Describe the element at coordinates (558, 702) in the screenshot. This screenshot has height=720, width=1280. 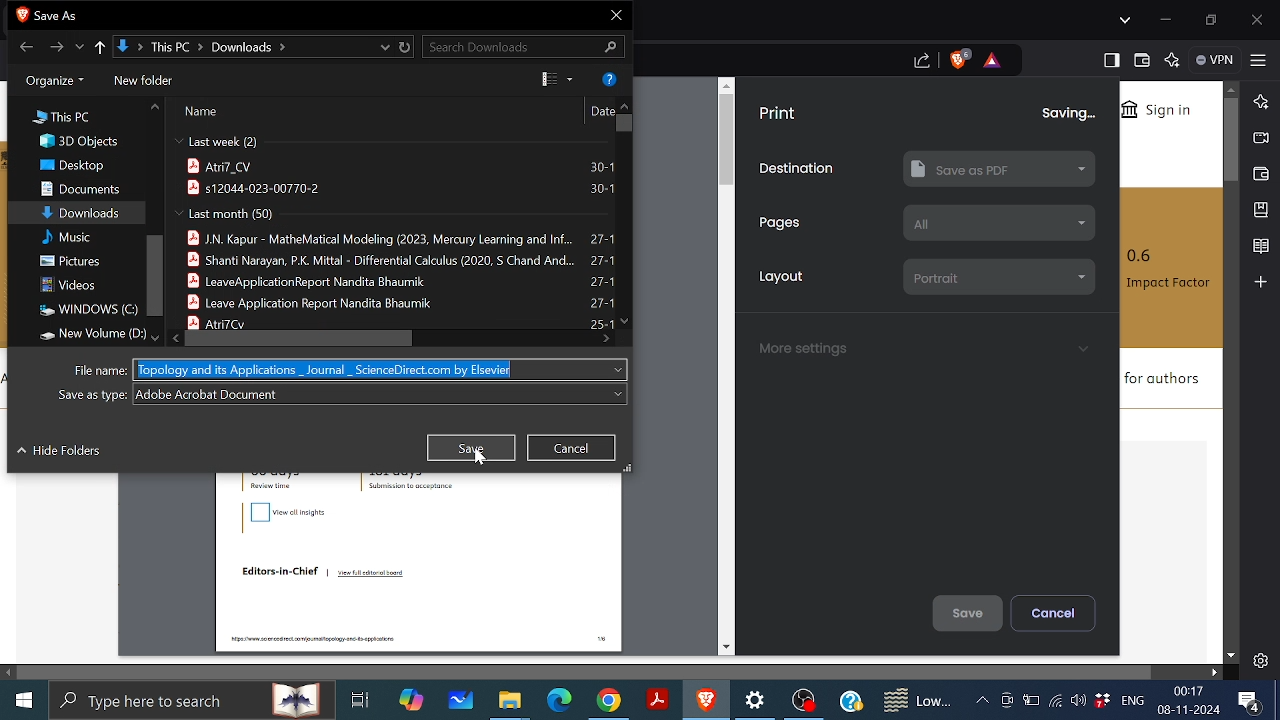
I see `Microsoft edge` at that location.